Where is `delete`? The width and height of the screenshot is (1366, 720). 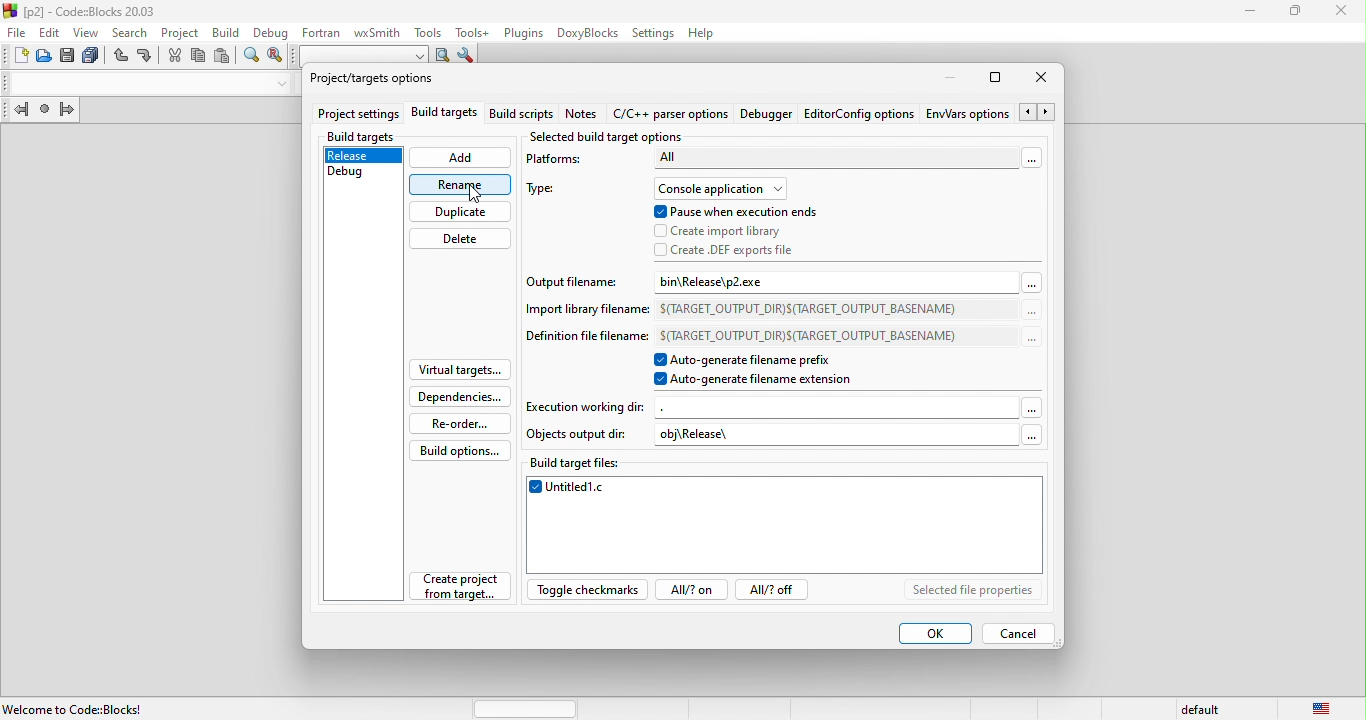 delete is located at coordinates (461, 239).